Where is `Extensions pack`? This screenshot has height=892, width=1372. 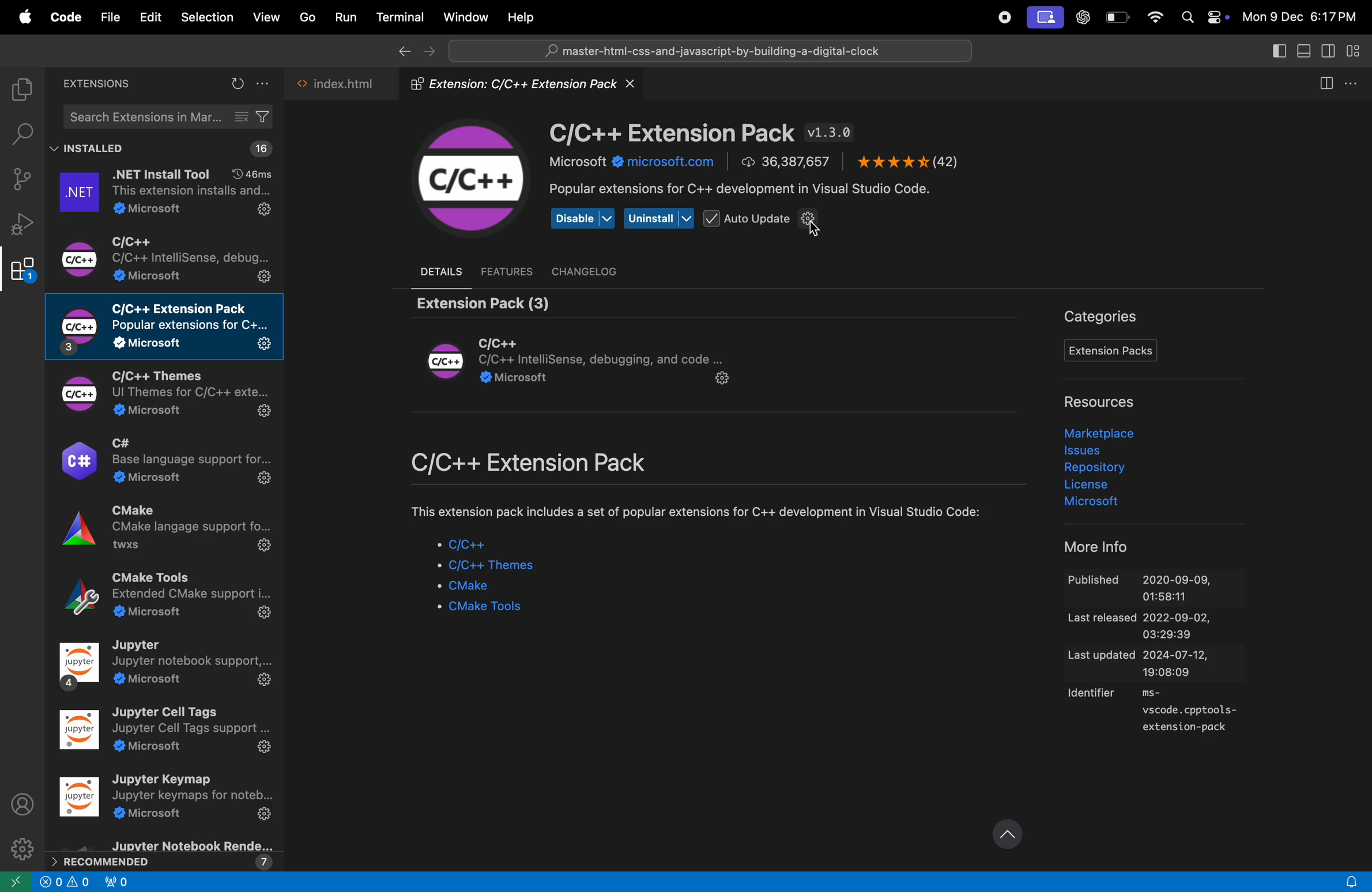 Extensions pack is located at coordinates (497, 305).